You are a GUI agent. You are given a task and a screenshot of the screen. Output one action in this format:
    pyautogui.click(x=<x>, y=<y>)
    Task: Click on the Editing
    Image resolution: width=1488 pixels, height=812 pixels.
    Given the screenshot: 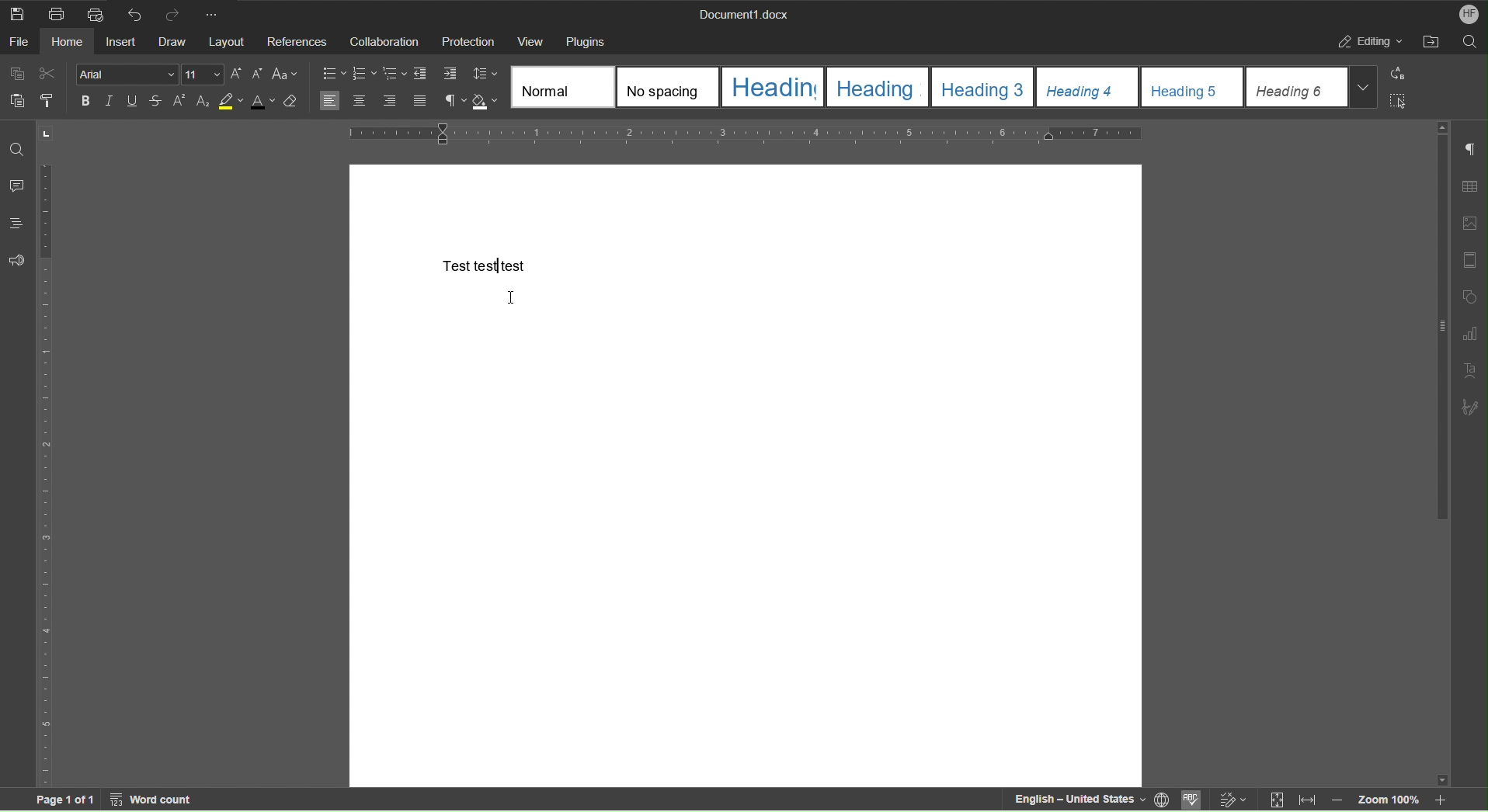 What is the action you would take?
    pyautogui.click(x=1368, y=40)
    